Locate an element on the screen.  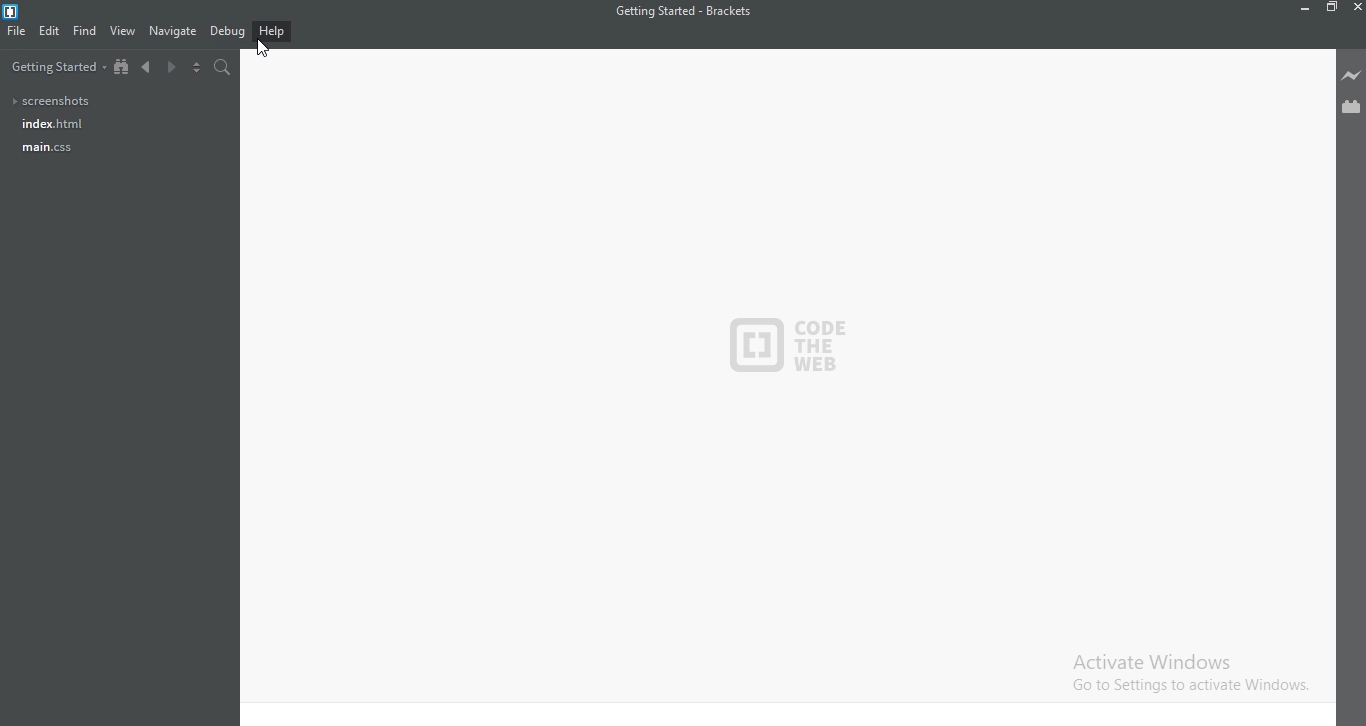
Find in files is located at coordinates (223, 68).